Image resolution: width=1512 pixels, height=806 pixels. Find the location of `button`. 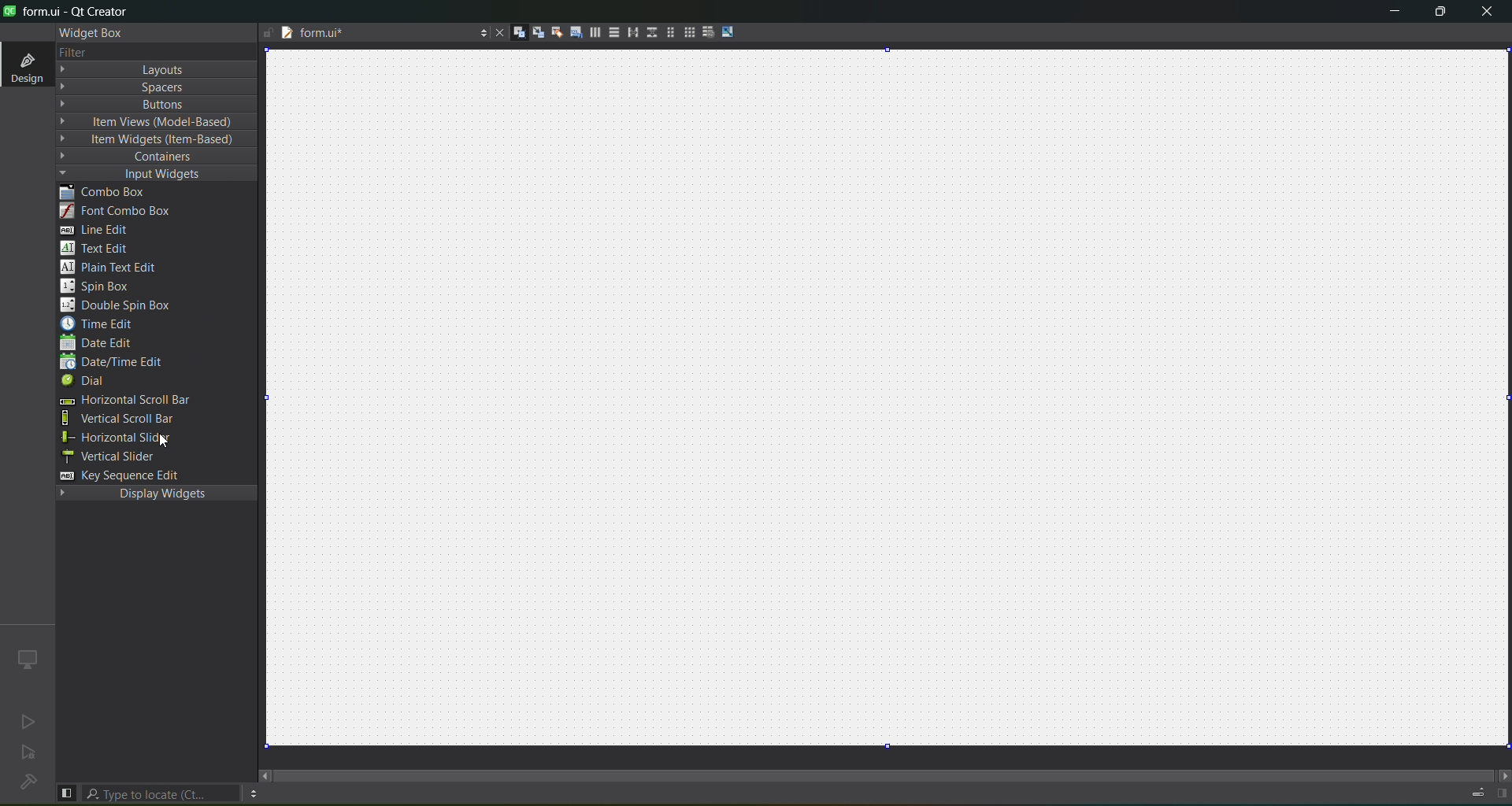

button is located at coordinates (139, 105).